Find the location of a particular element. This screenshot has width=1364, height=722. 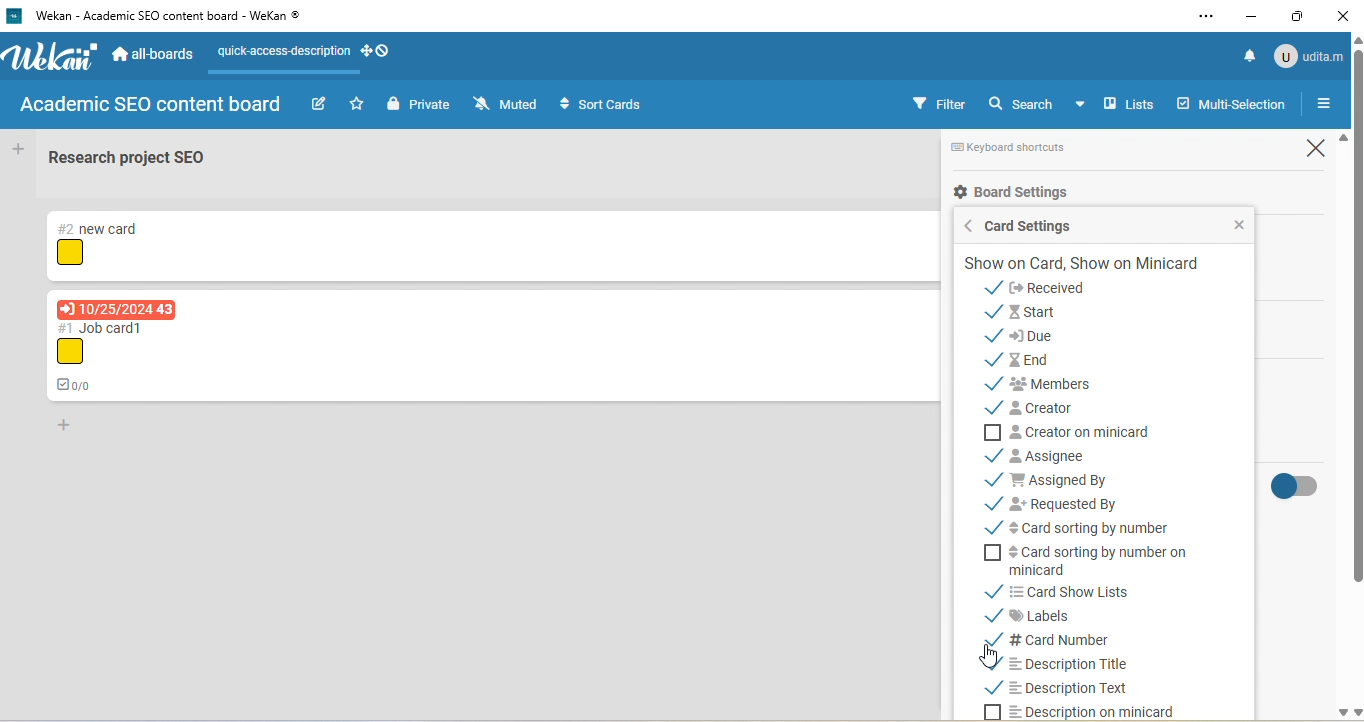

star this board is located at coordinates (357, 104).